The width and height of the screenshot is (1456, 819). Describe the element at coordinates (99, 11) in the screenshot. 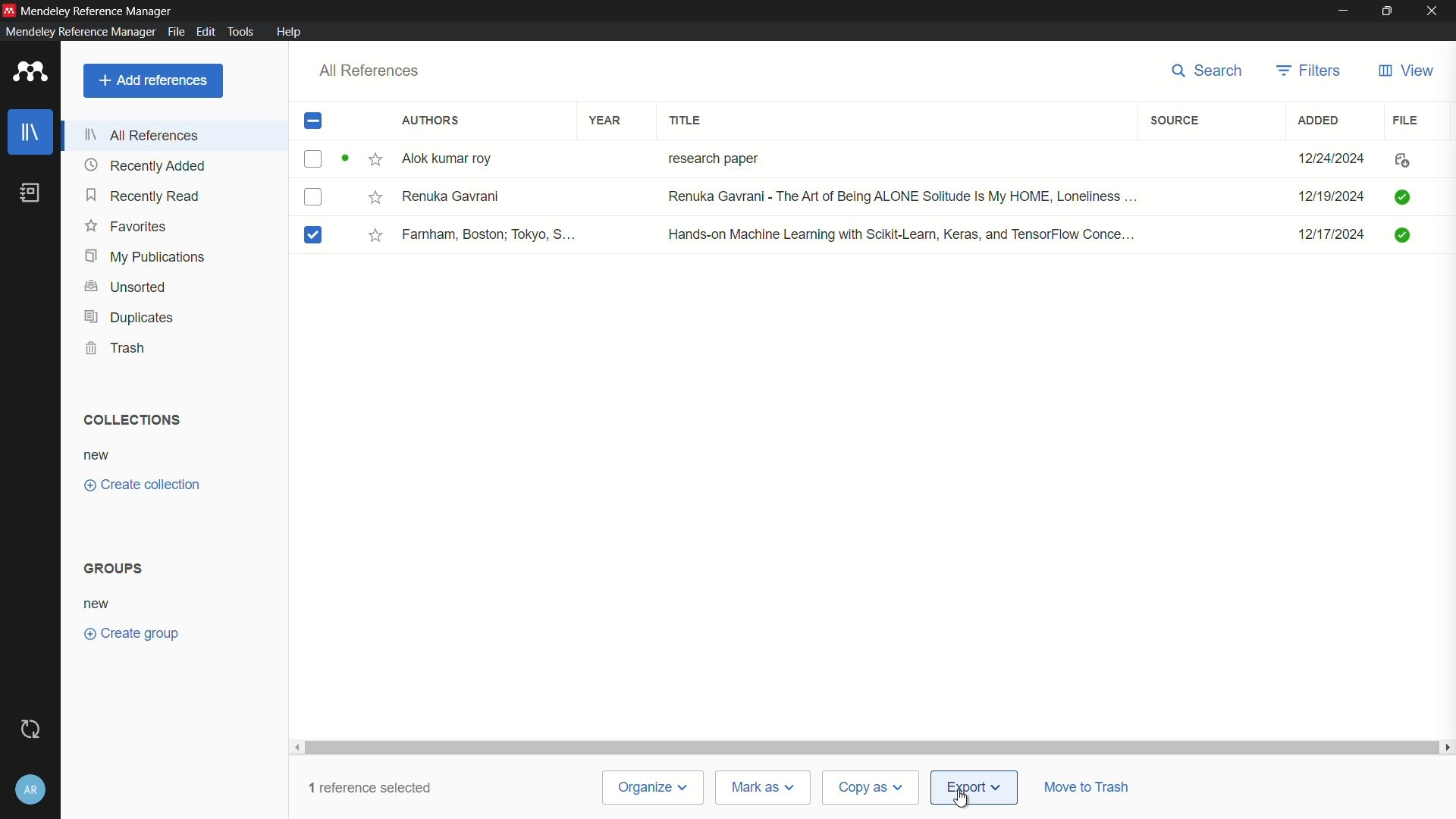

I see `Mendeley Reference Manager` at that location.